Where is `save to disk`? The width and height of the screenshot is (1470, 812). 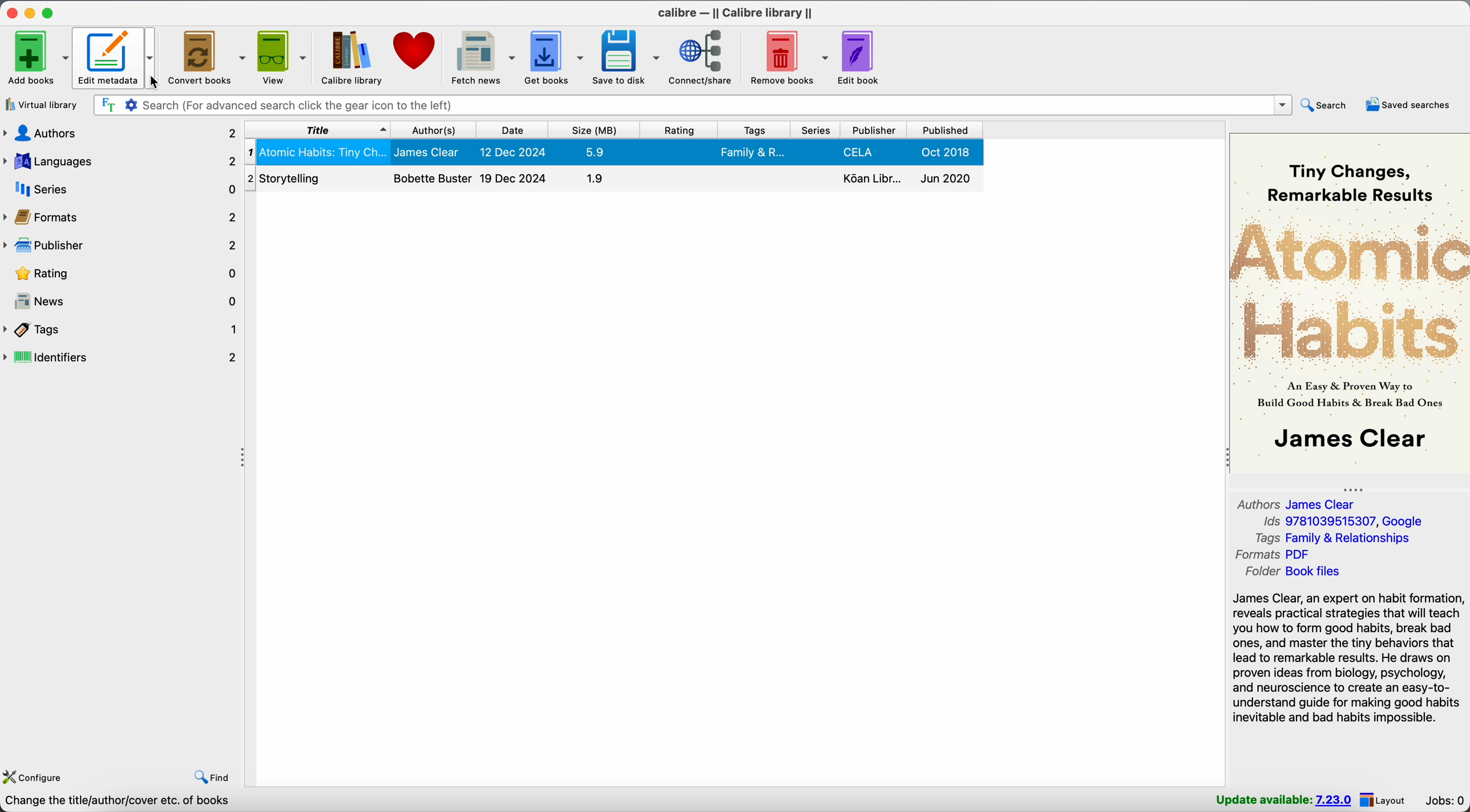
save to disk is located at coordinates (627, 58).